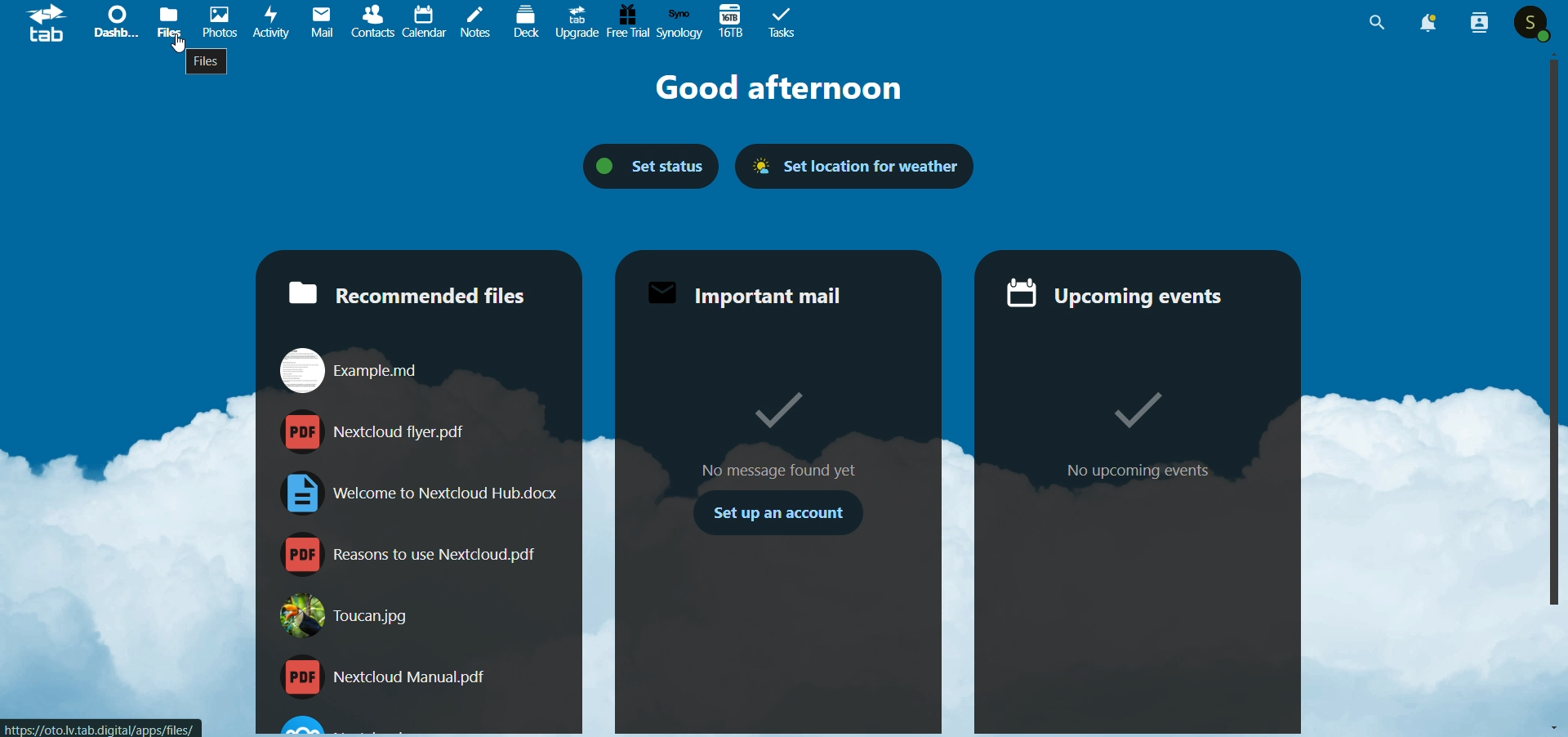 This screenshot has width=1568, height=737. I want to click on set status, so click(639, 166).